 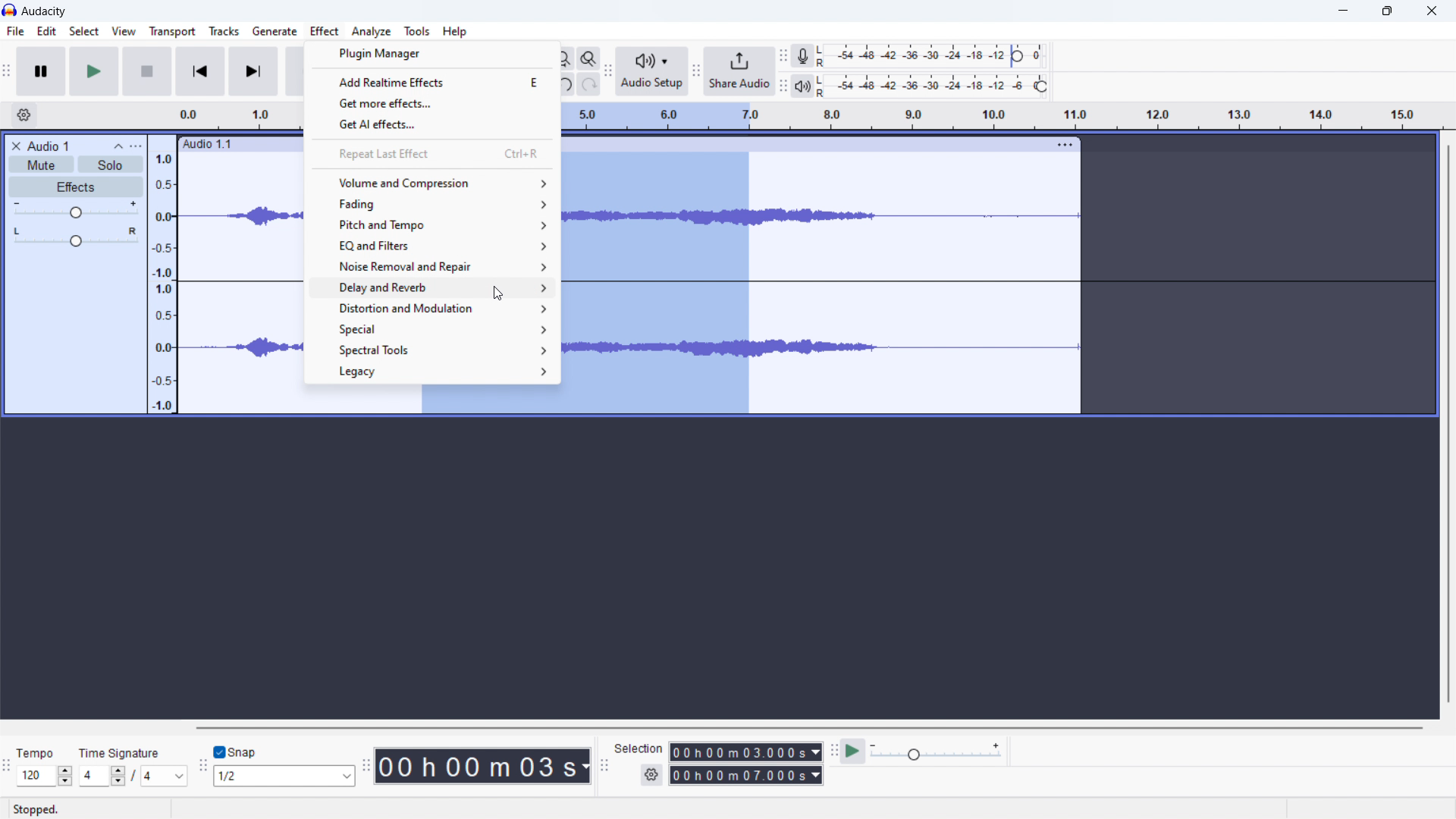 What do you see at coordinates (431, 265) in the screenshot?
I see `noise removal and repair` at bounding box center [431, 265].